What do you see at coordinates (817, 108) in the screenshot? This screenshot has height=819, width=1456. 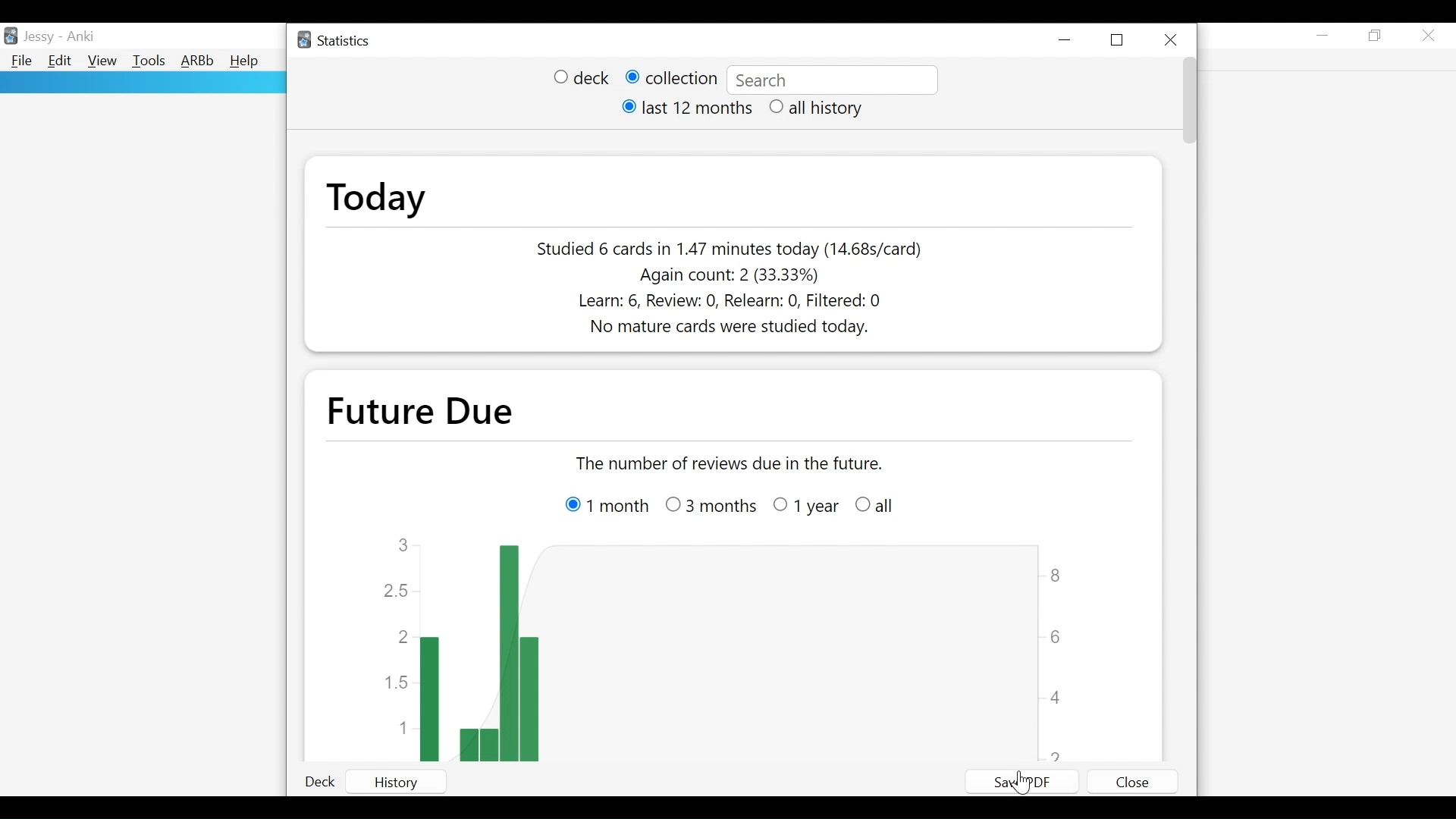 I see `(un)select all history` at bounding box center [817, 108].